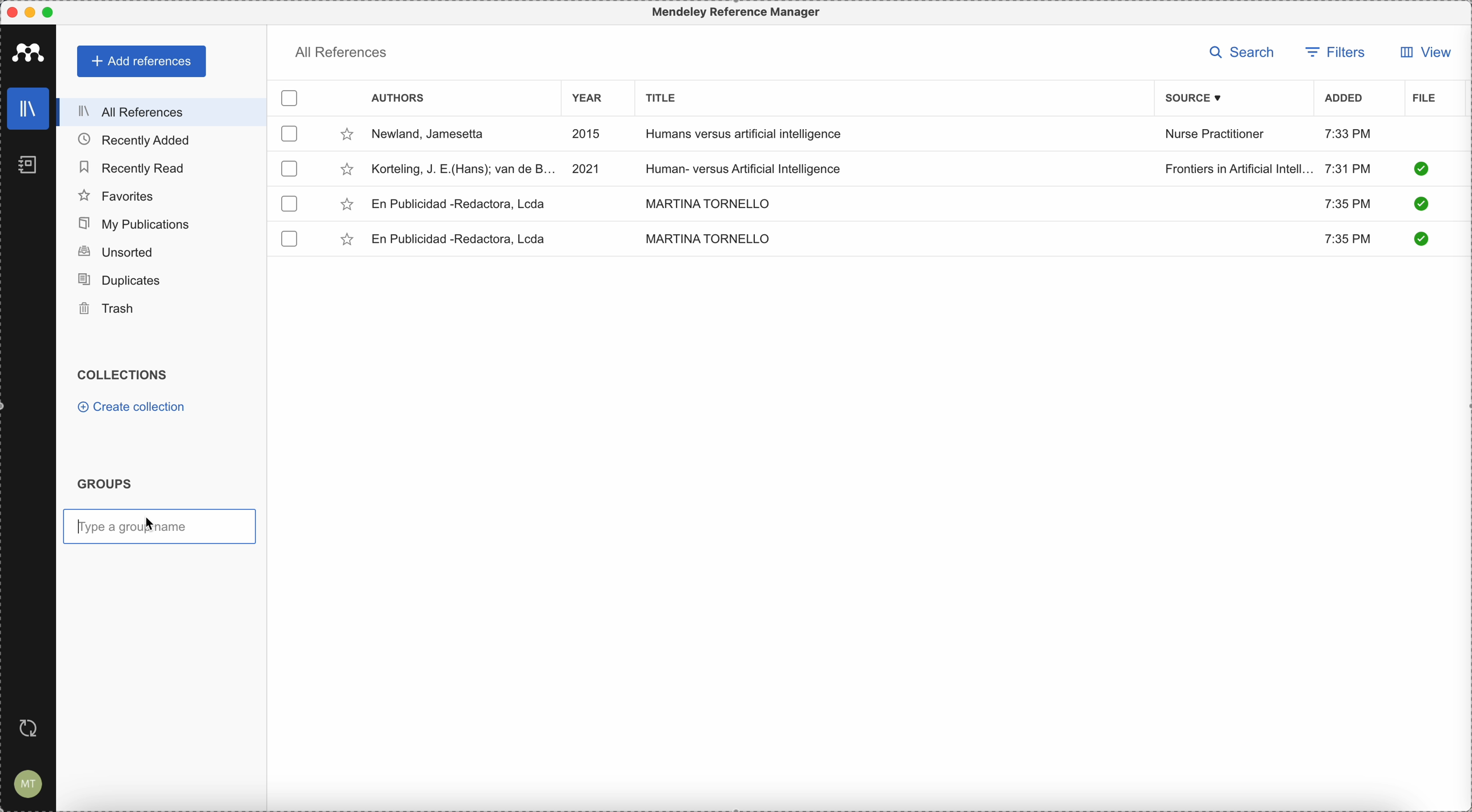  I want to click on title, so click(658, 97).